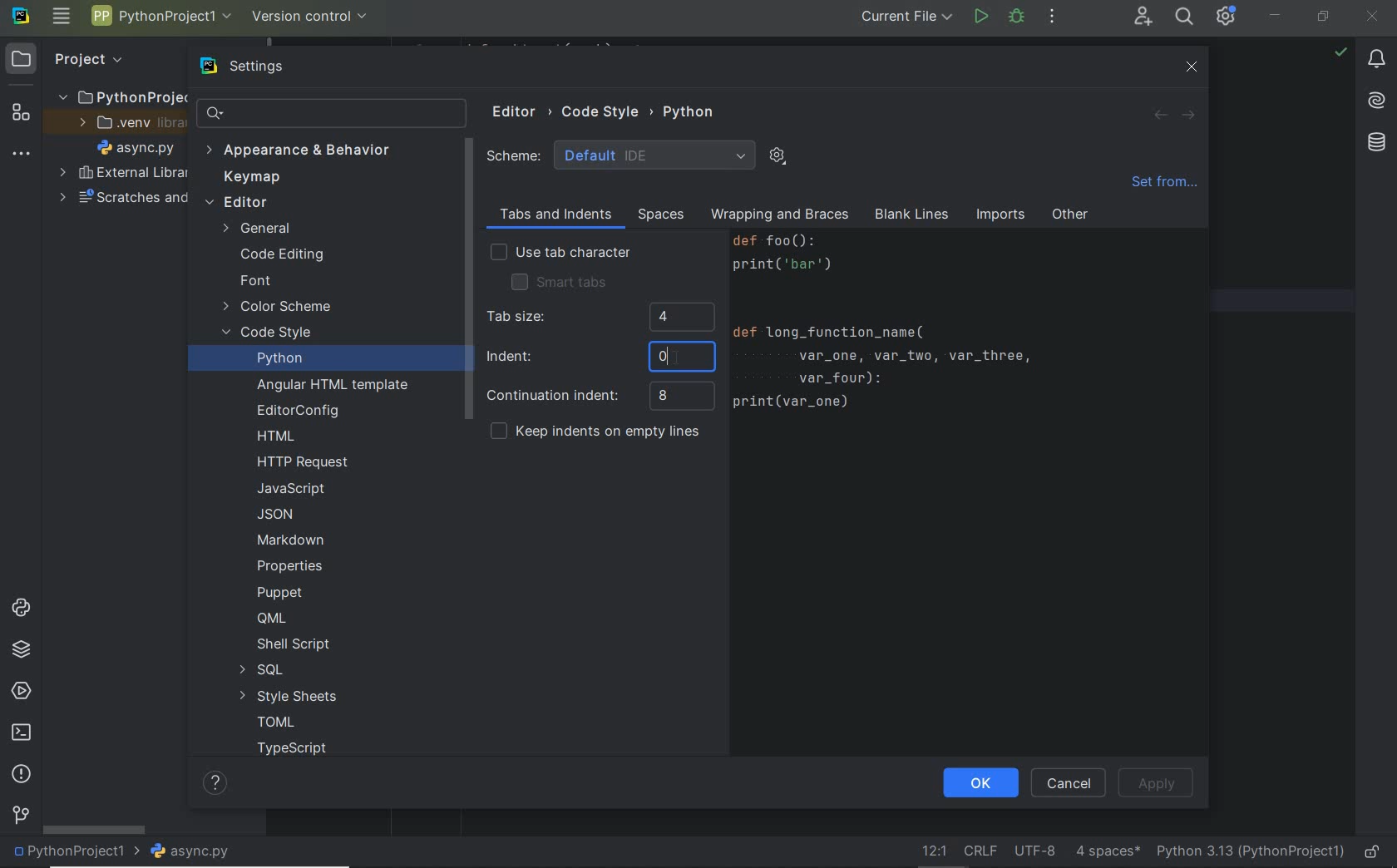  Describe the element at coordinates (195, 852) in the screenshot. I see `file name` at that location.